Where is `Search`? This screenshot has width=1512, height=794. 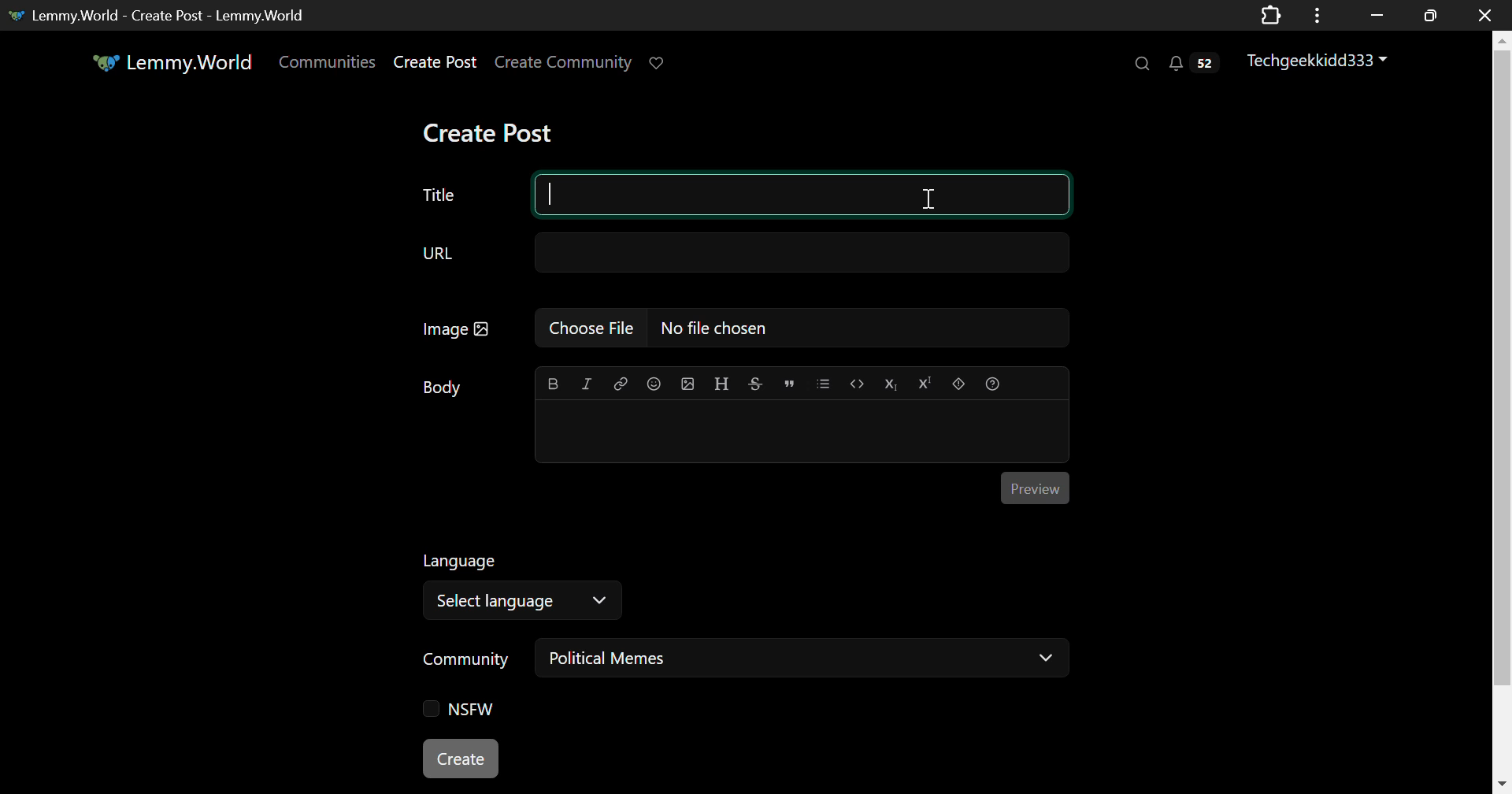 Search is located at coordinates (1143, 65).